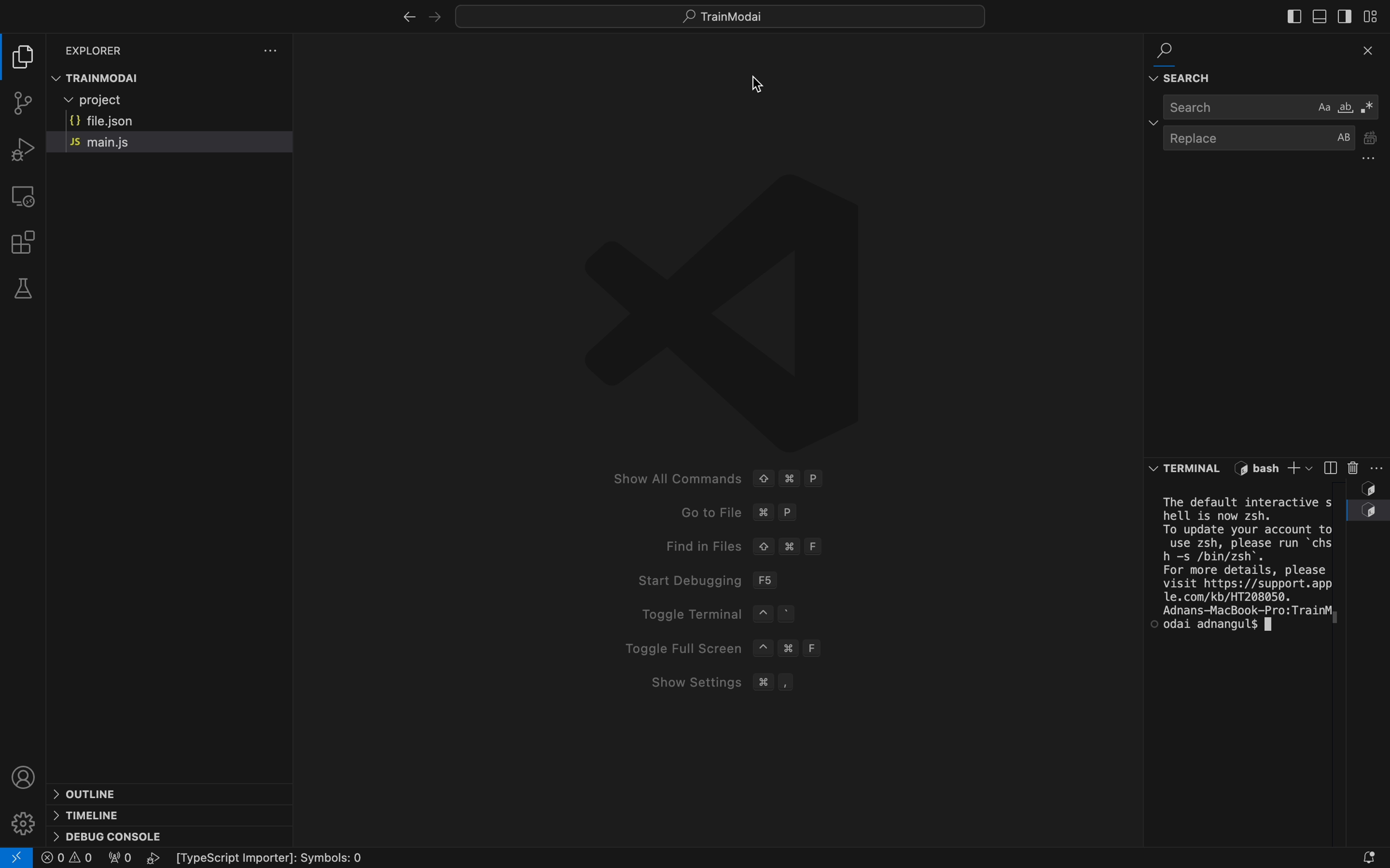 This screenshot has width=1390, height=868. Describe the element at coordinates (1371, 852) in the screenshot. I see `notification` at that location.